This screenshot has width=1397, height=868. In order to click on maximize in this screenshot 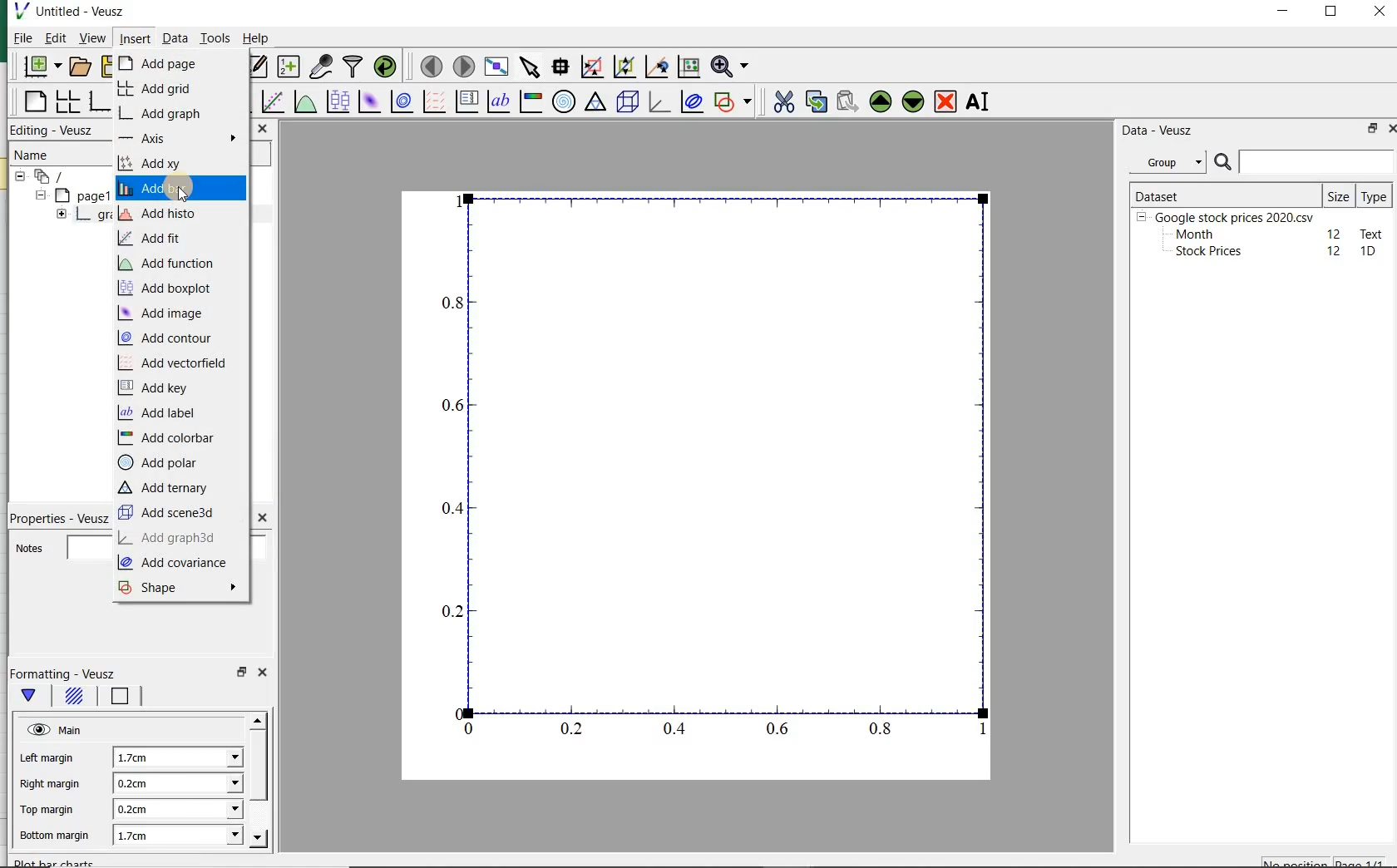, I will do `click(1334, 13)`.